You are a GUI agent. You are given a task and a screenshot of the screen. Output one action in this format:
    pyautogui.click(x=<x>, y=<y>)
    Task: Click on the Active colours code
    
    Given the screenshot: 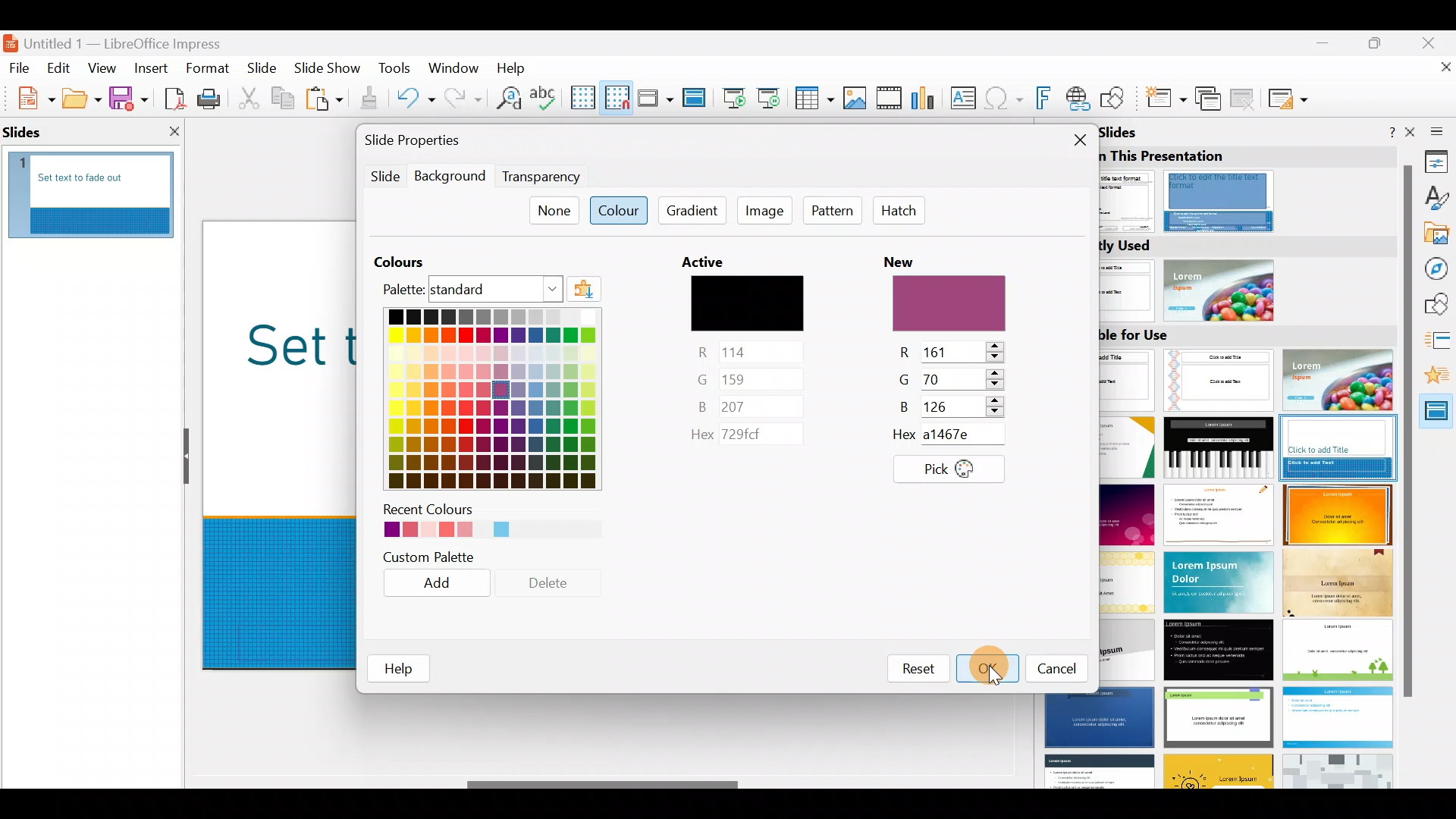 What is the action you would take?
    pyautogui.click(x=740, y=437)
    